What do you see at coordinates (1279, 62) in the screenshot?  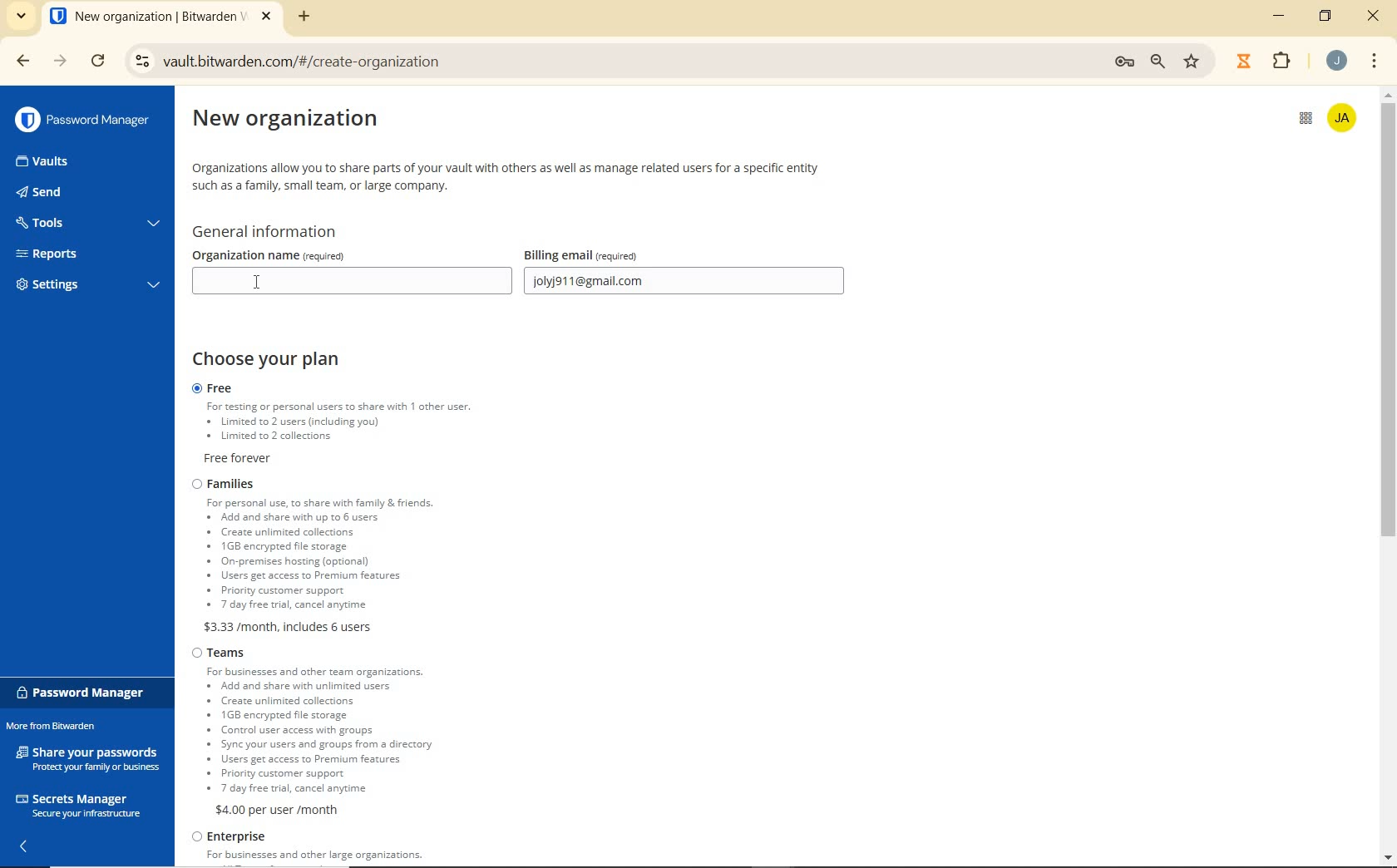 I see `extensions` at bounding box center [1279, 62].